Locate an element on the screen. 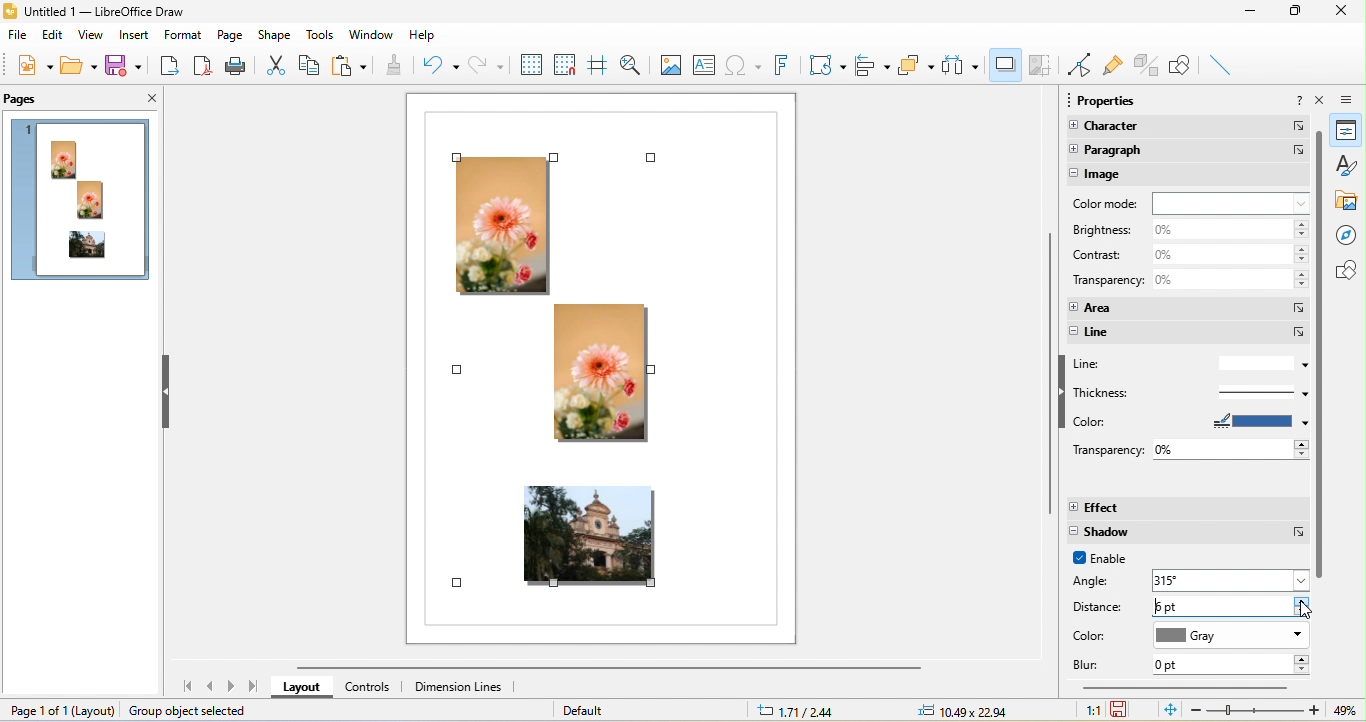 The height and width of the screenshot is (722, 1366). undo is located at coordinates (438, 64).